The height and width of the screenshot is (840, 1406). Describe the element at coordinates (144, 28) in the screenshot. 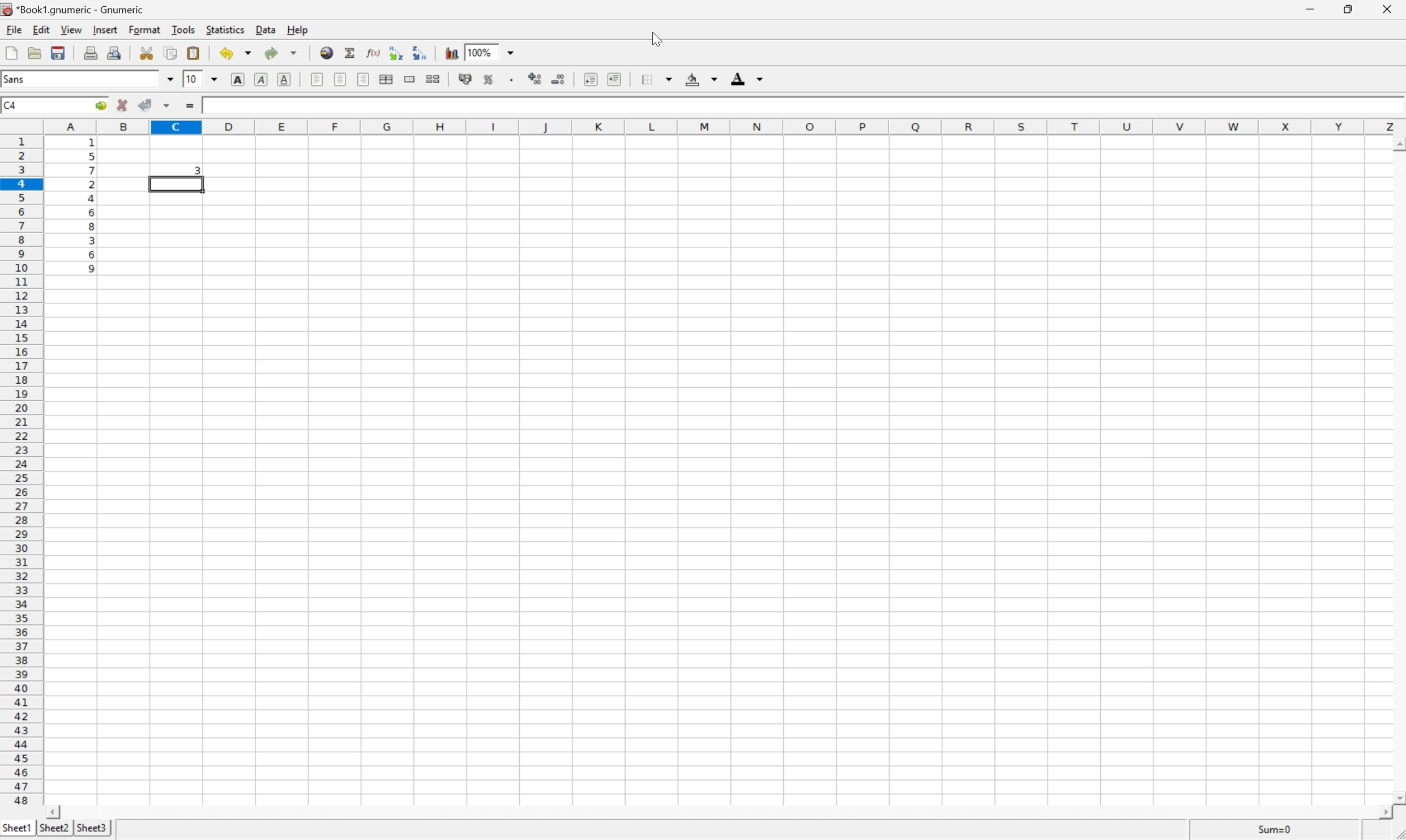

I see `format` at that location.